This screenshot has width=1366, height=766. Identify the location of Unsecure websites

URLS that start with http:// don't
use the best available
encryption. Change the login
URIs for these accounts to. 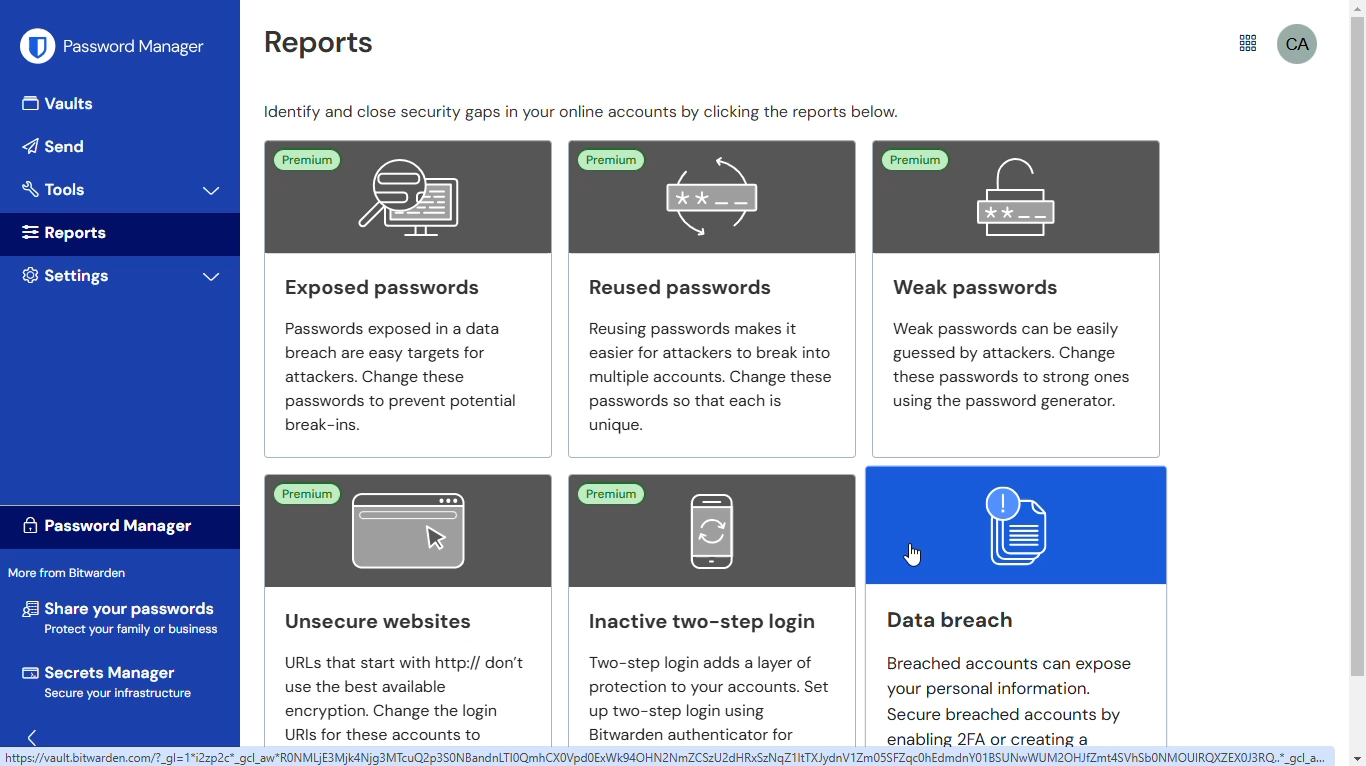
(389, 671).